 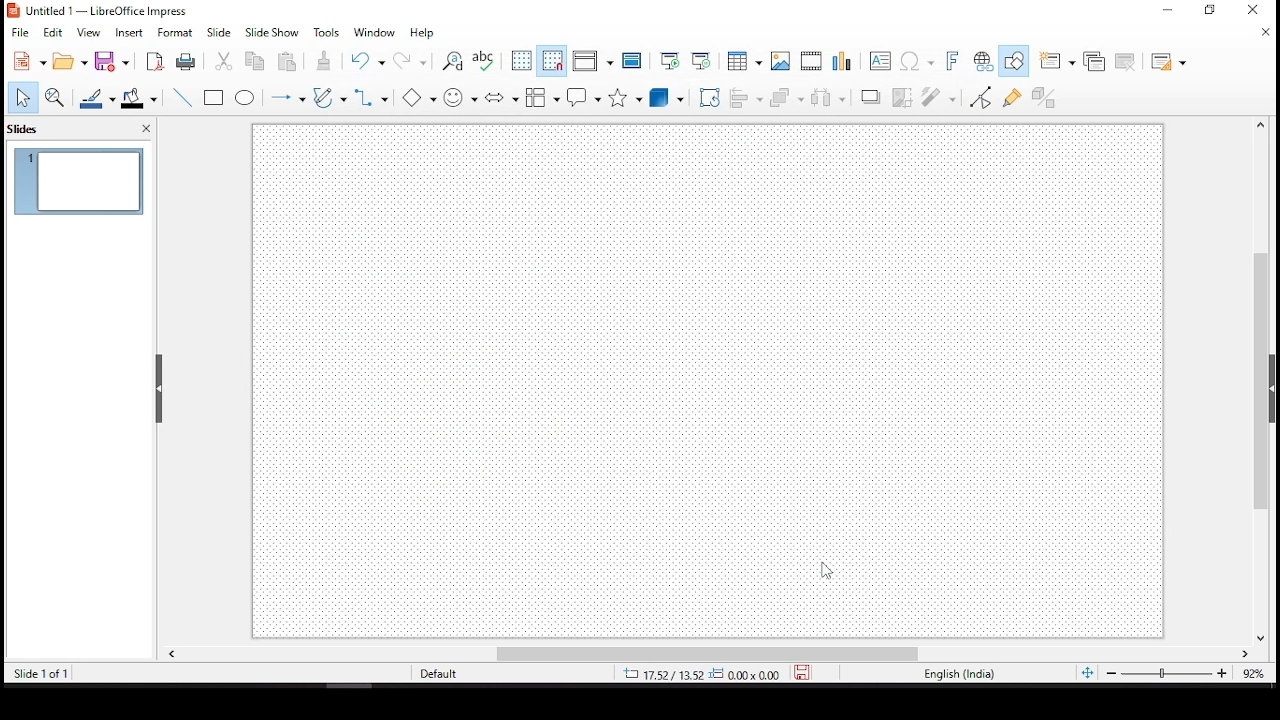 What do you see at coordinates (415, 99) in the screenshot?
I see `basic shapes` at bounding box center [415, 99].